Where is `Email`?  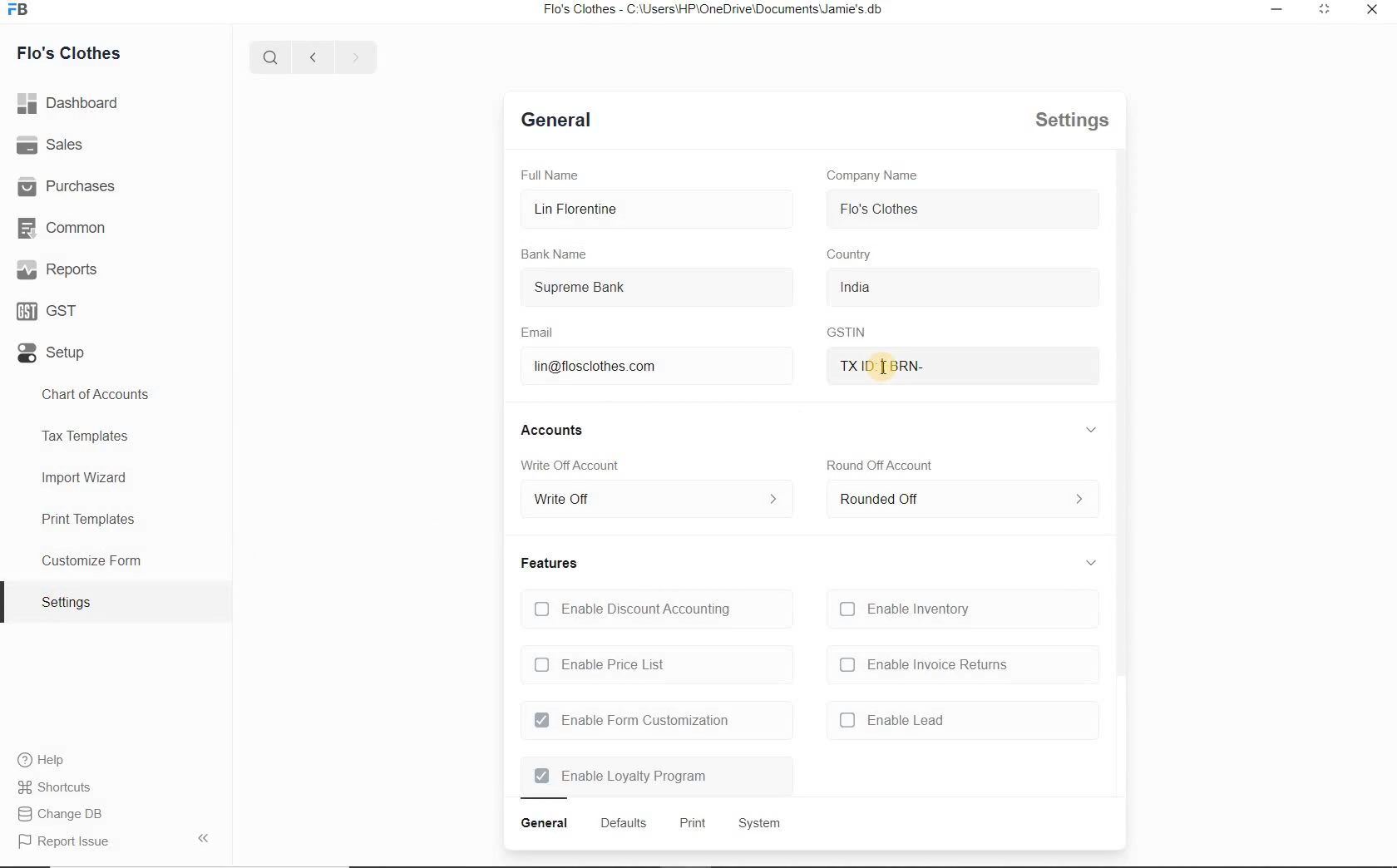 Email is located at coordinates (541, 333).